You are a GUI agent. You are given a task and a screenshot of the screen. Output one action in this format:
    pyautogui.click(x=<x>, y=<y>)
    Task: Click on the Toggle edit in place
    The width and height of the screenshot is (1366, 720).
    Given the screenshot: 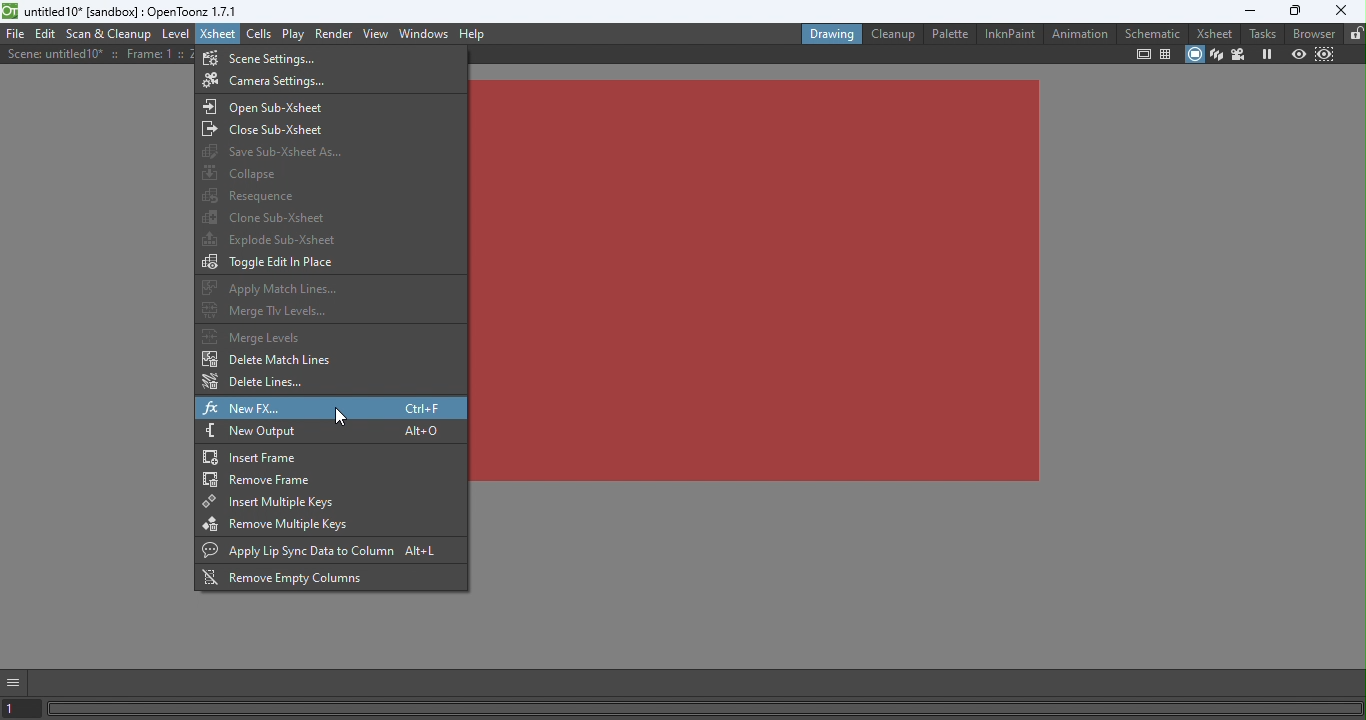 What is the action you would take?
    pyautogui.click(x=272, y=263)
    